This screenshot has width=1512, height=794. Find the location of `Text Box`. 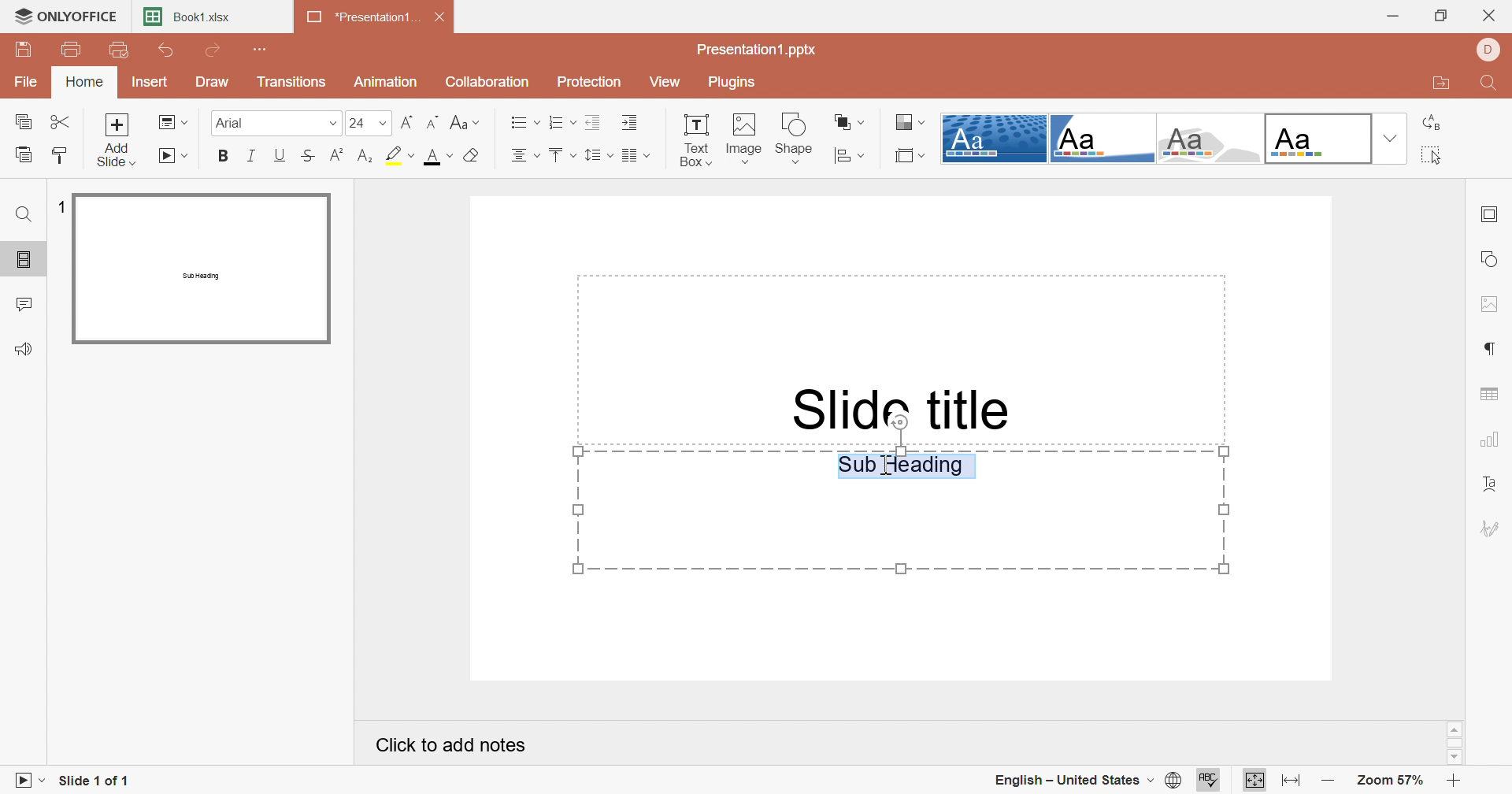

Text Box is located at coordinates (694, 138).